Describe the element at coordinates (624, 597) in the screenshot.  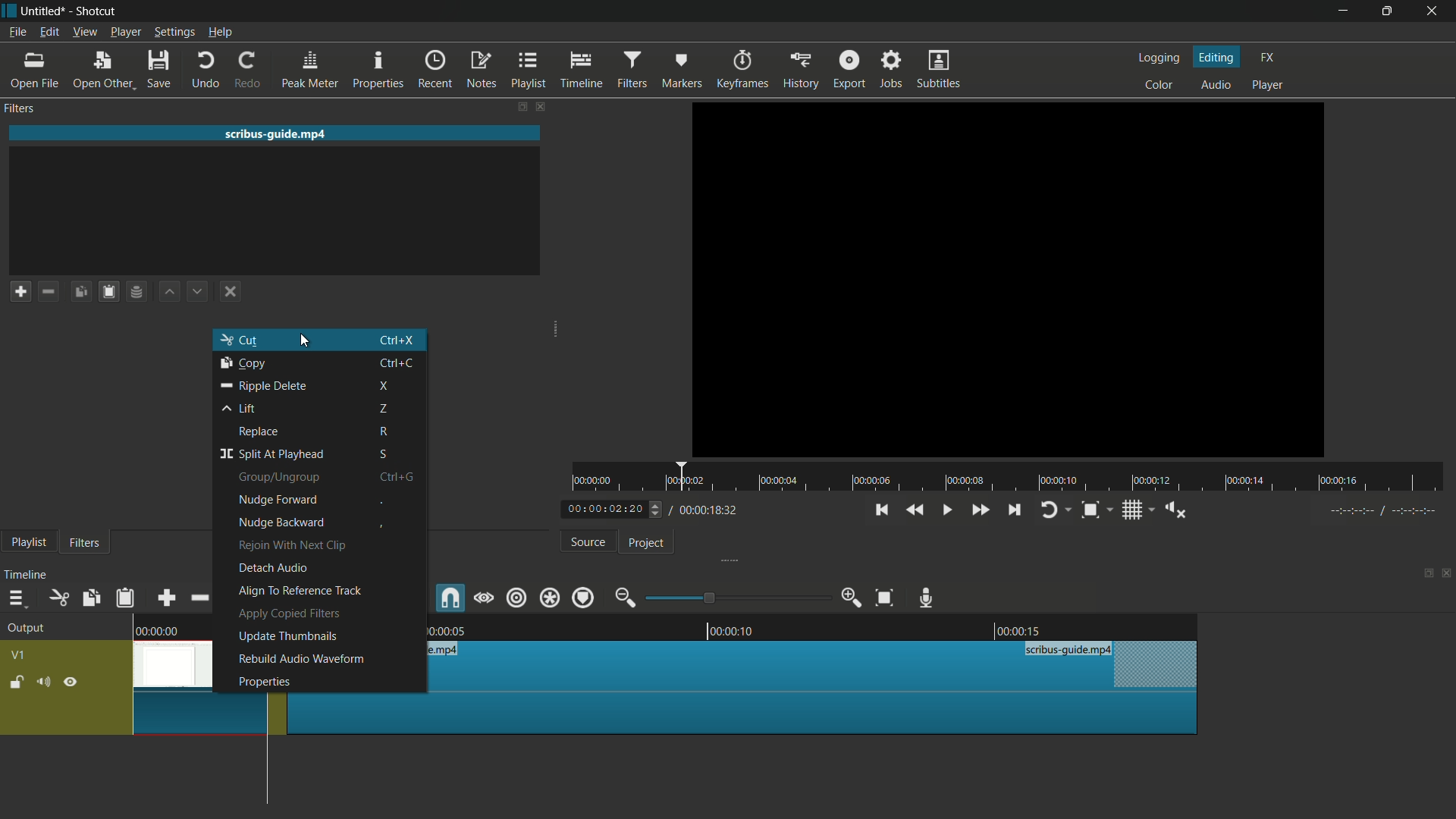
I see `zoom out` at that location.